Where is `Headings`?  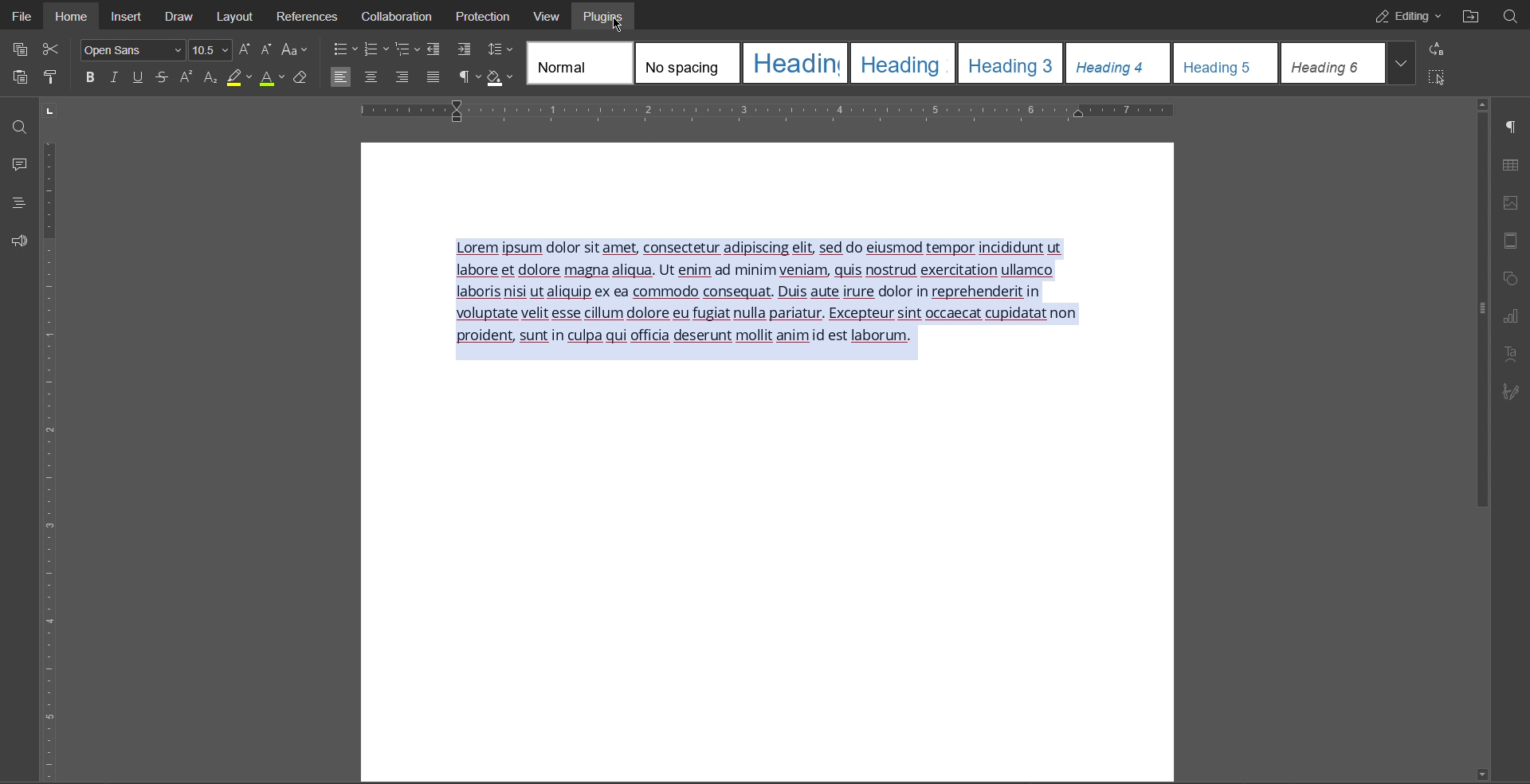 Headings is located at coordinates (14, 202).